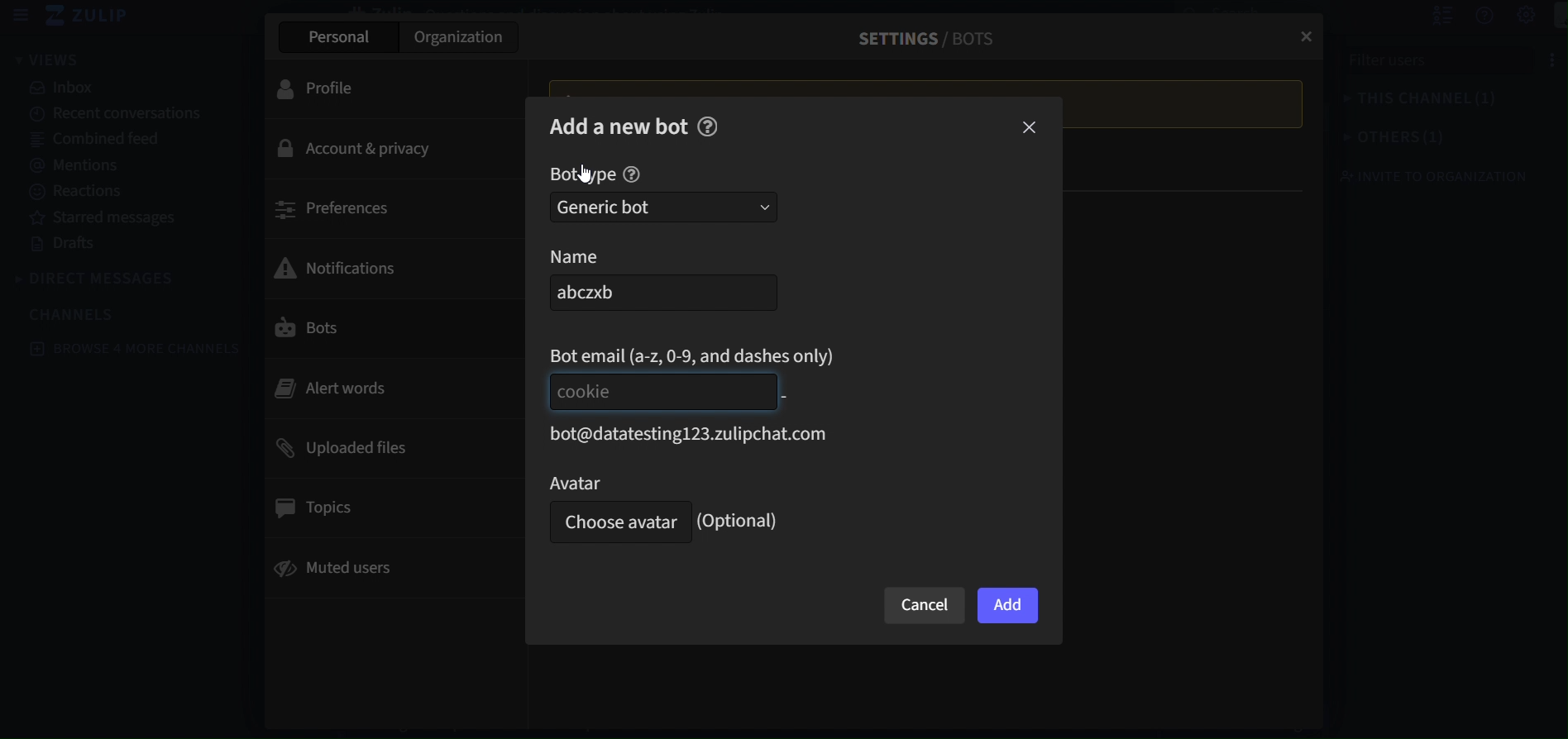  I want to click on add, so click(1008, 607).